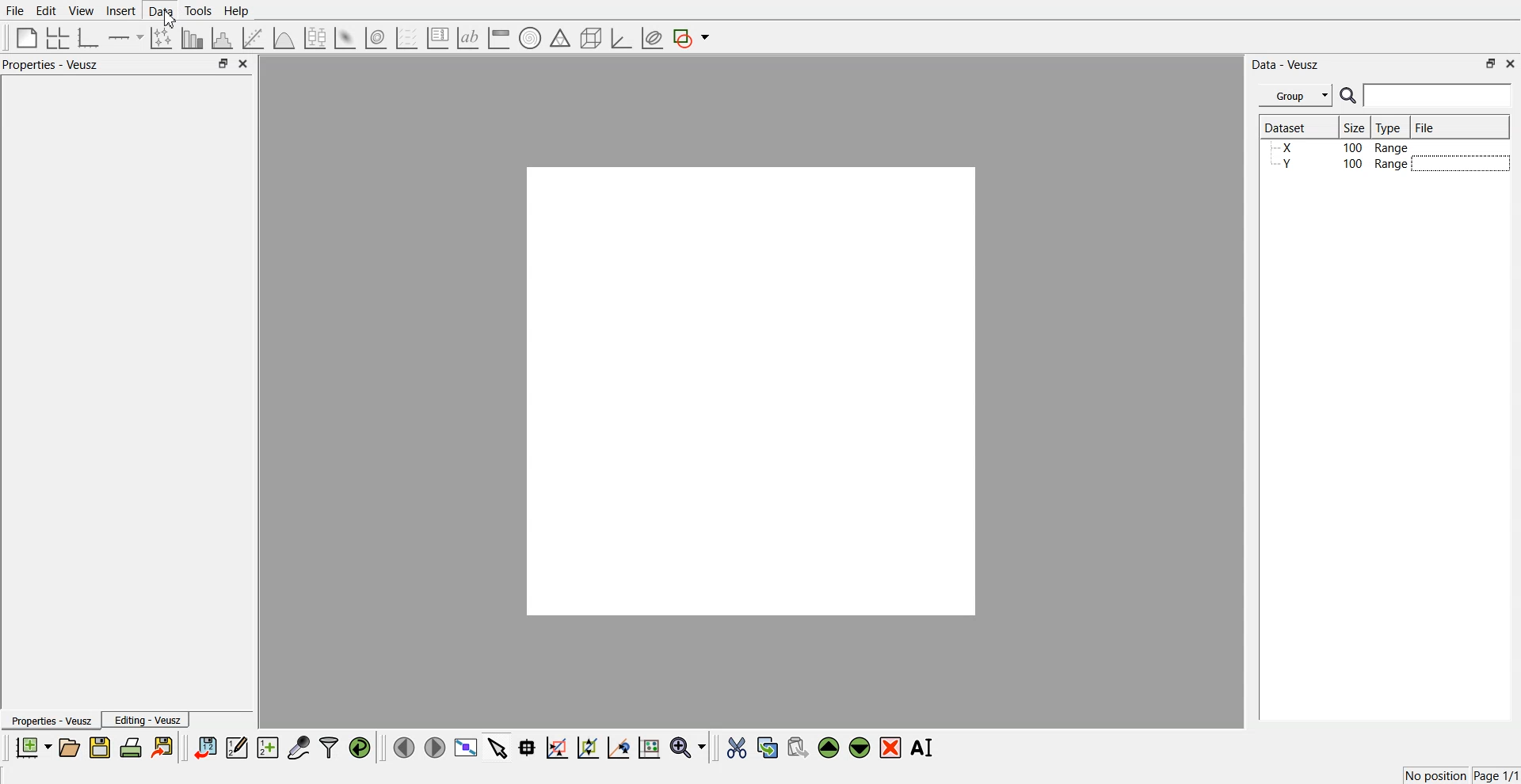 The height and width of the screenshot is (784, 1521). Describe the element at coordinates (829, 748) in the screenshot. I see `Move up the selected widget` at that location.